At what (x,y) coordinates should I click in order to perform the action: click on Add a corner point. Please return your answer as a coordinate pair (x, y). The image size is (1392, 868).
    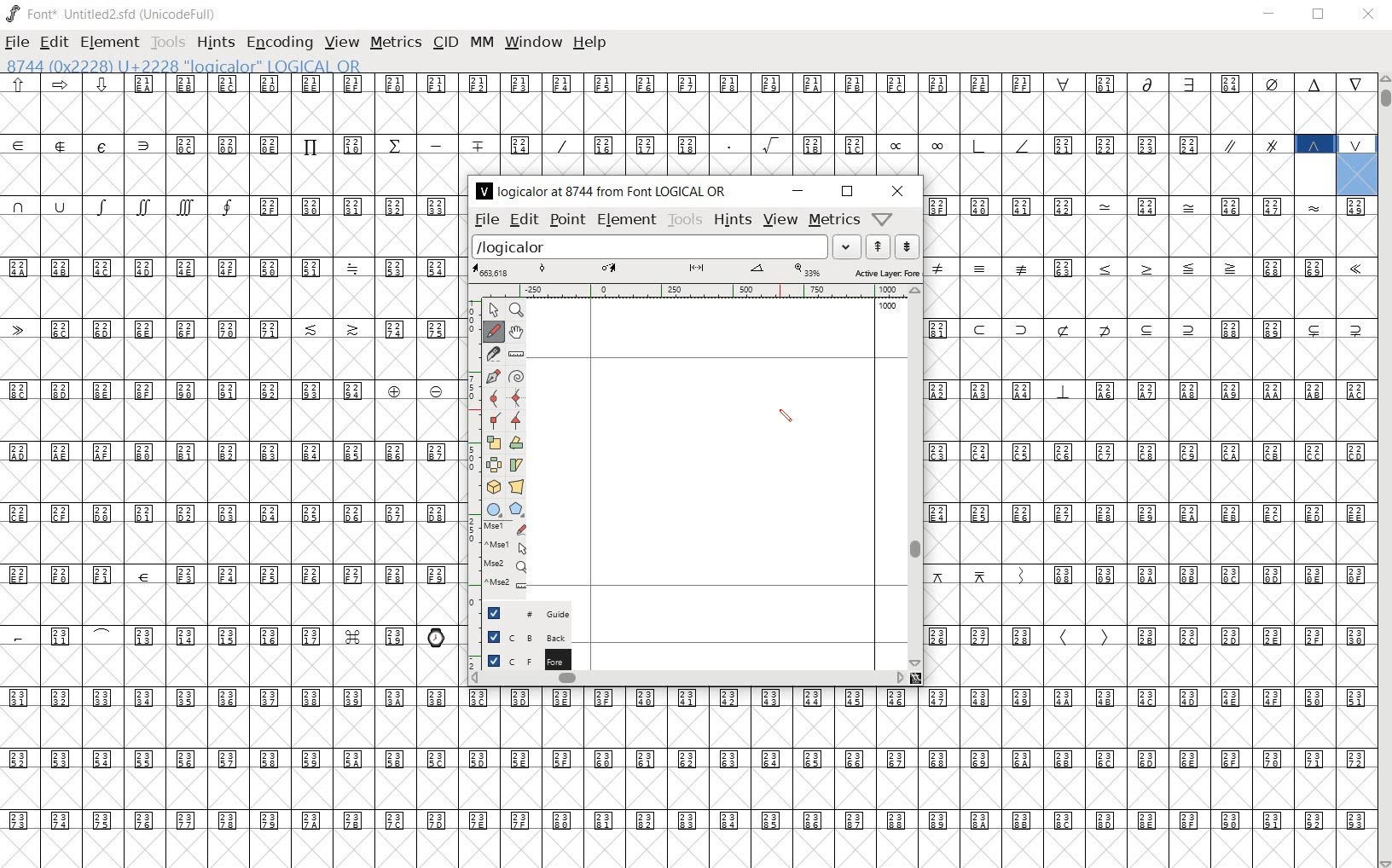
    Looking at the image, I should click on (515, 420).